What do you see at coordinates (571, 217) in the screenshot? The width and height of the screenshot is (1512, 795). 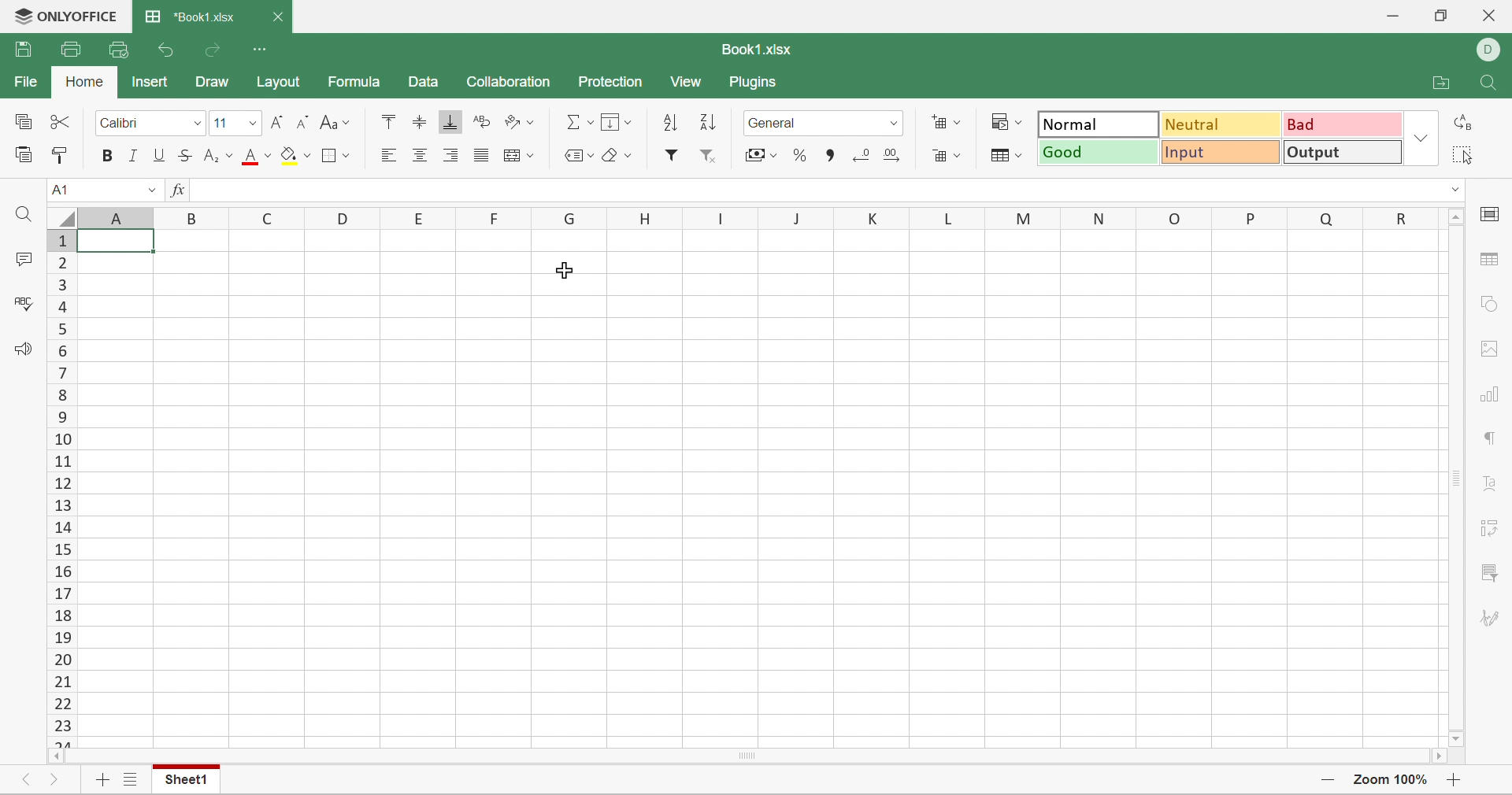 I see `G` at bounding box center [571, 217].